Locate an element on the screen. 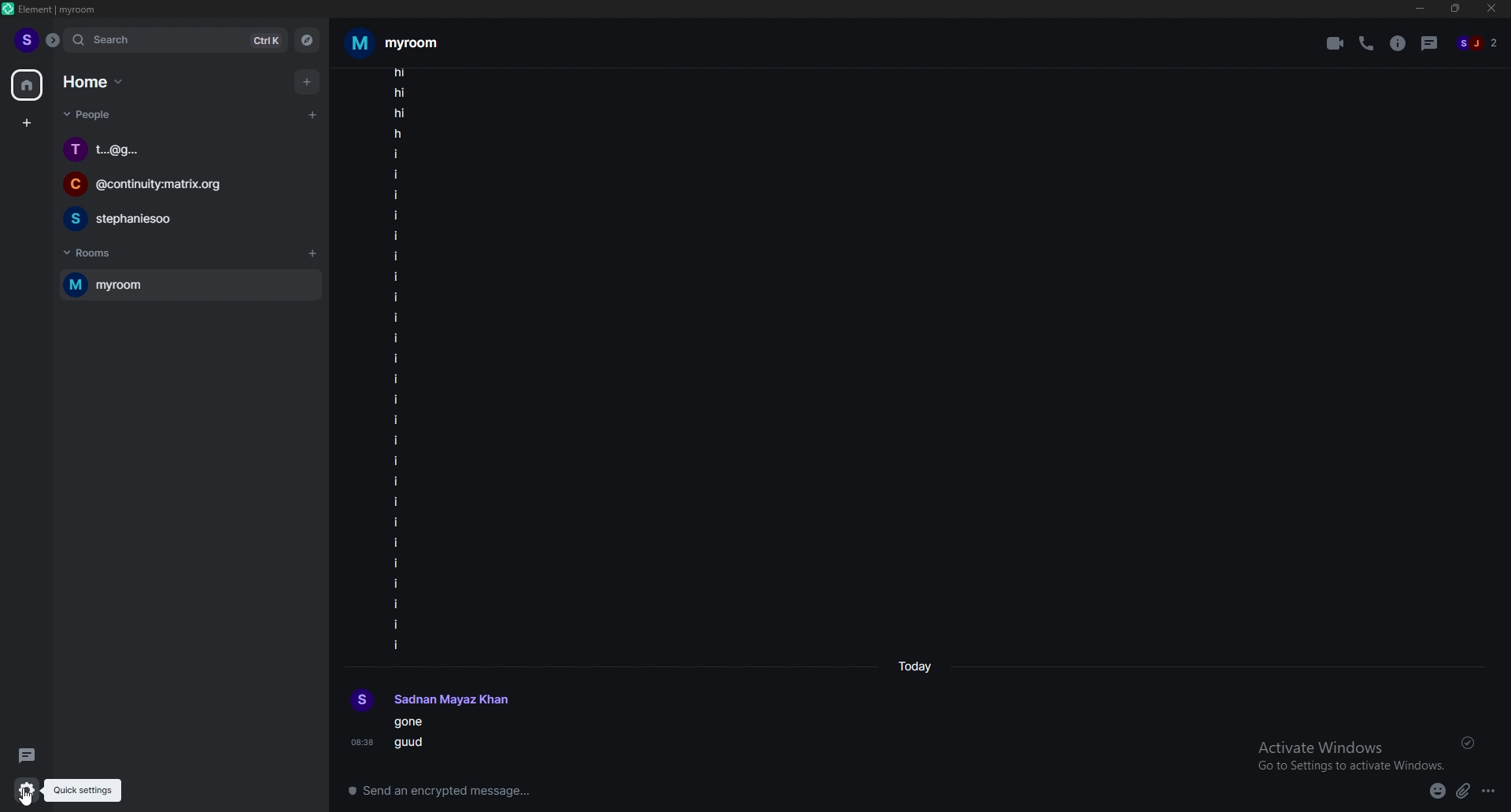  room info is located at coordinates (1400, 42).